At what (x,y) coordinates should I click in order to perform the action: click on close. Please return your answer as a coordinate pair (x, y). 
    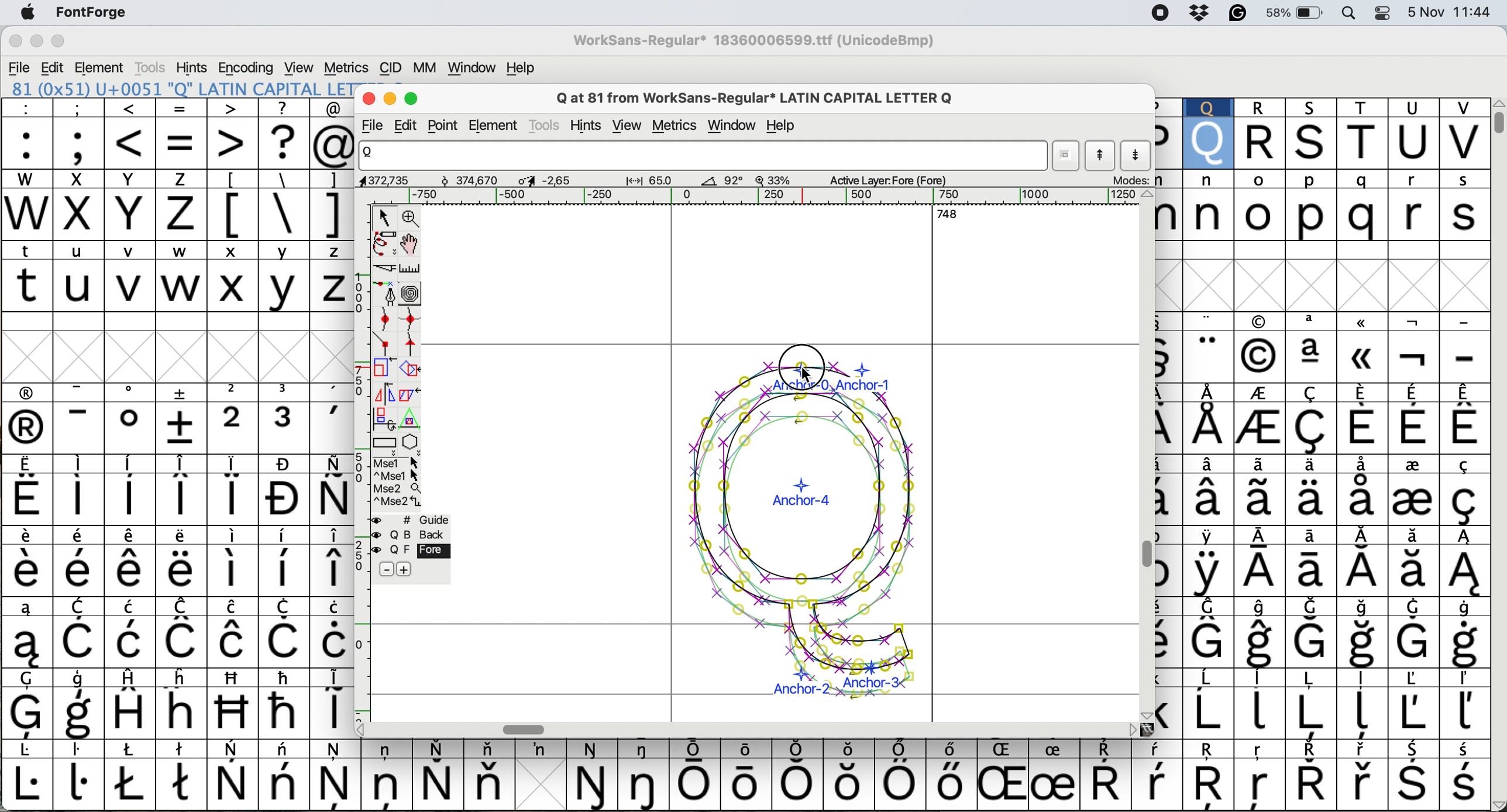
    Looking at the image, I should click on (15, 40).